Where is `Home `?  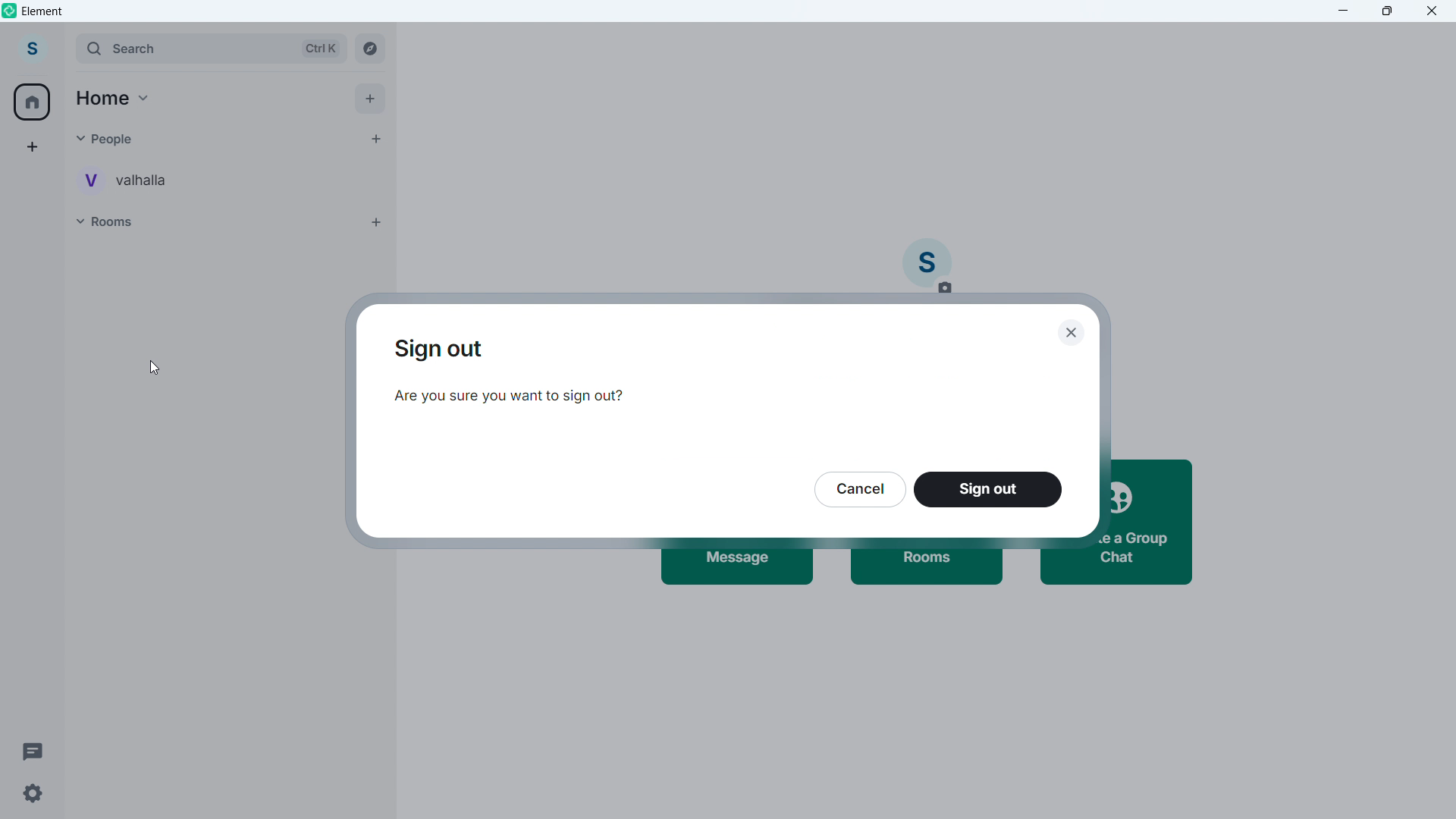
Home  is located at coordinates (115, 99).